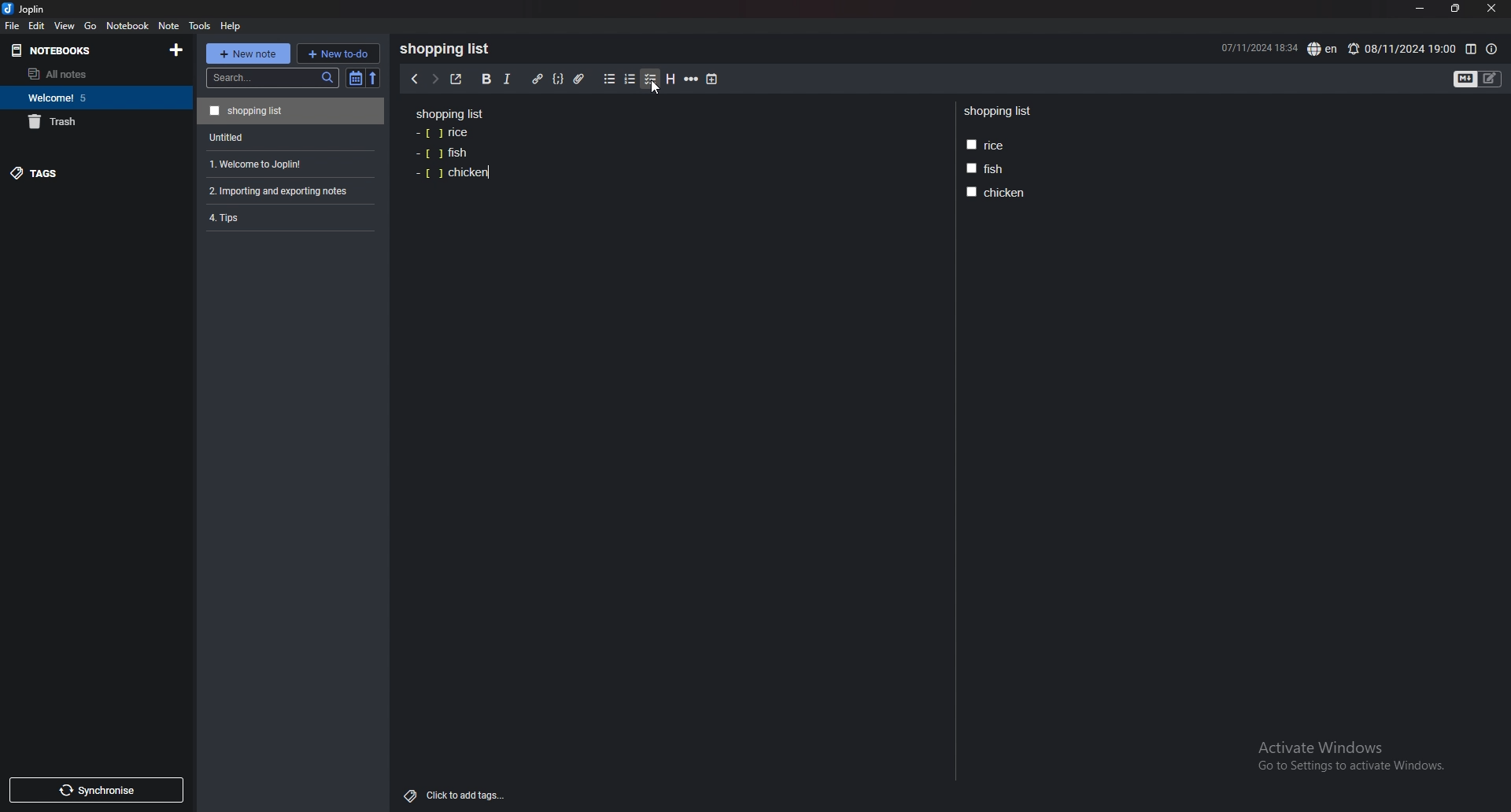 The image size is (1511, 812). Describe the element at coordinates (247, 54) in the screenshot. I see `new note` at that location.